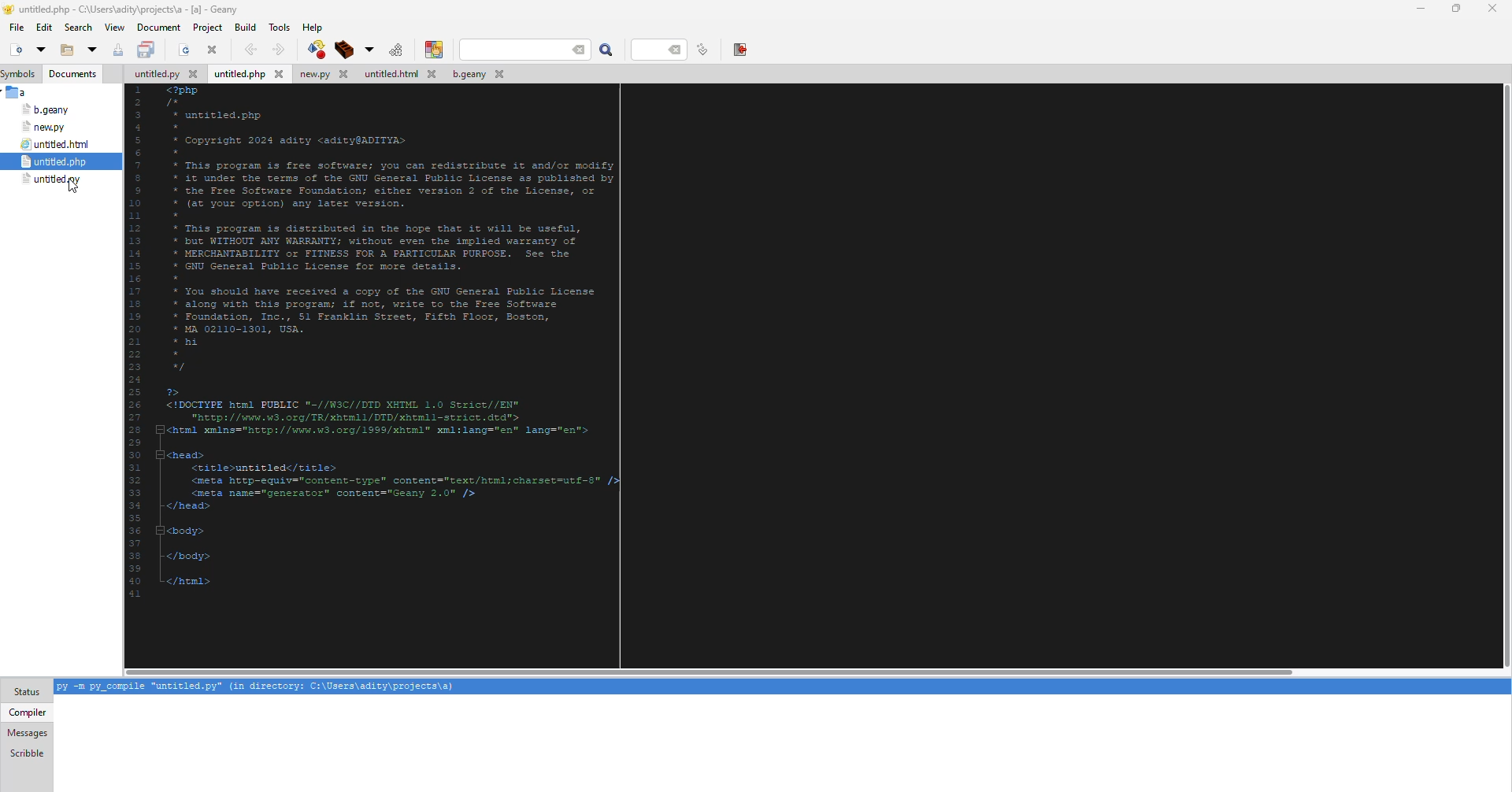 The height and width of the screenshot is (792, 1512). Describe the element at coordinates (208, 28) in the screenshot. I see `project` at that location.